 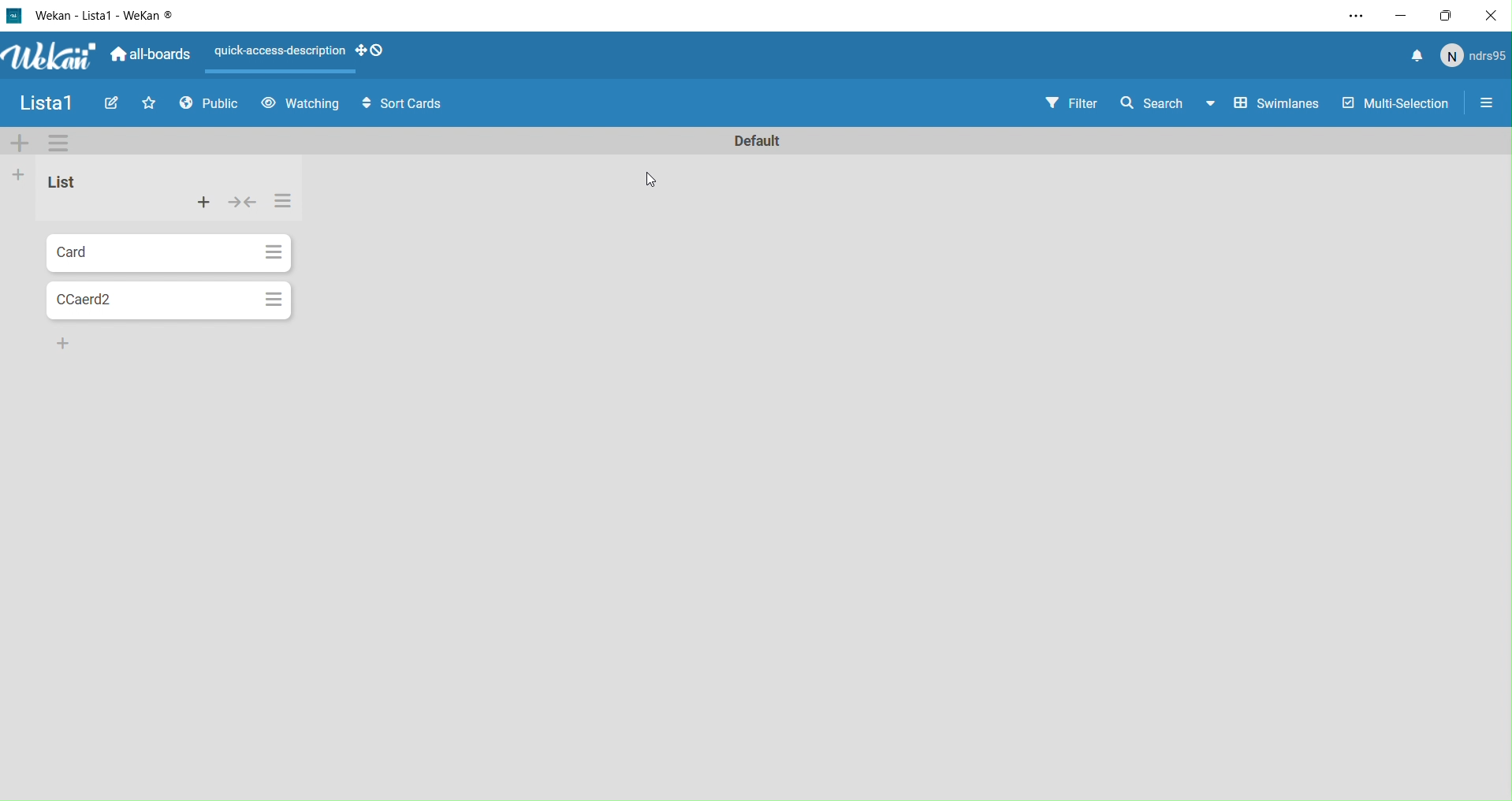 I want to click on Options, so click(x=60, y=143).